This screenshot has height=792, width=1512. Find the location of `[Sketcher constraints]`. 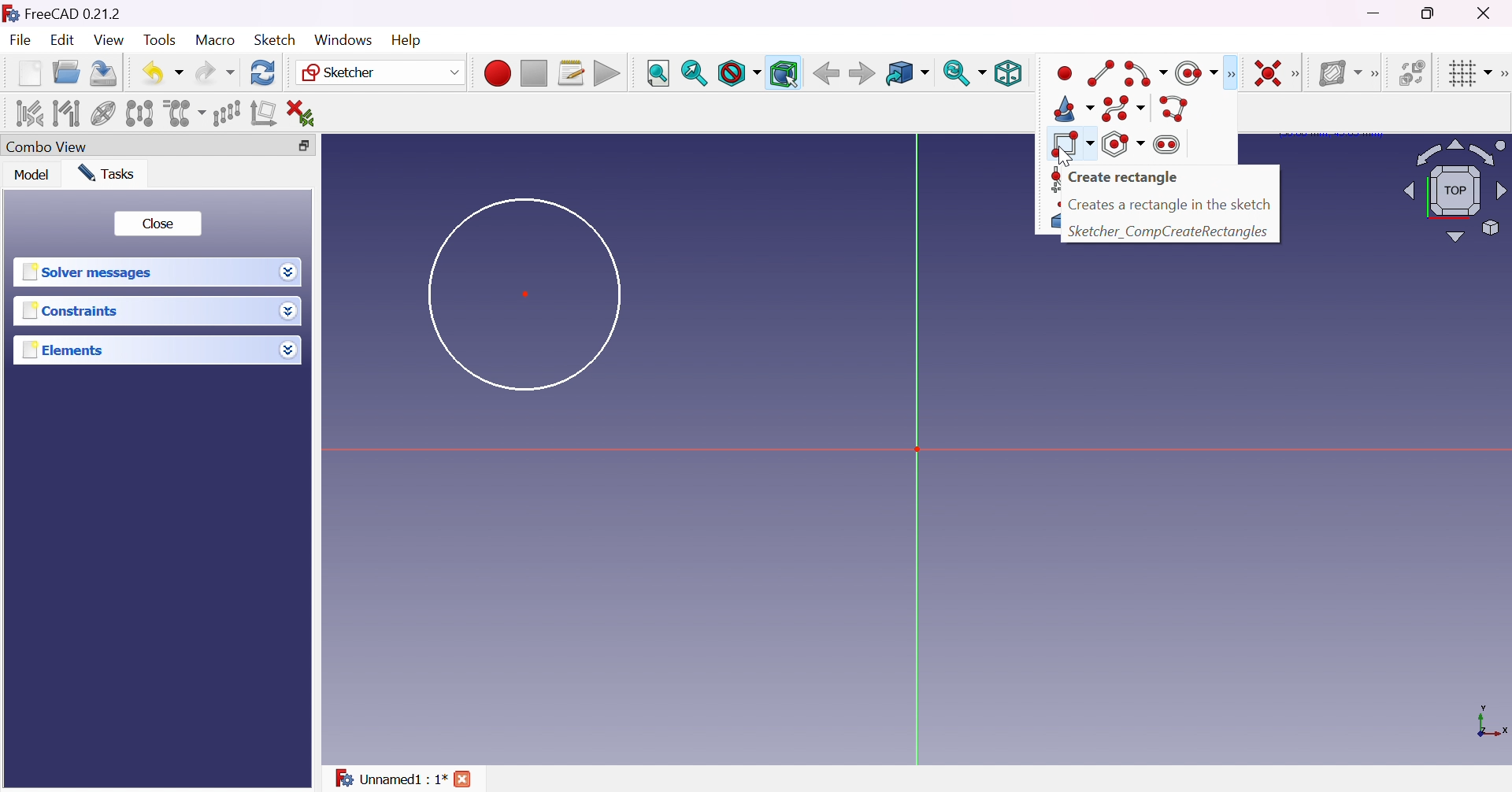

[Sketcher constraints] is located at coordinates (1299, 75).